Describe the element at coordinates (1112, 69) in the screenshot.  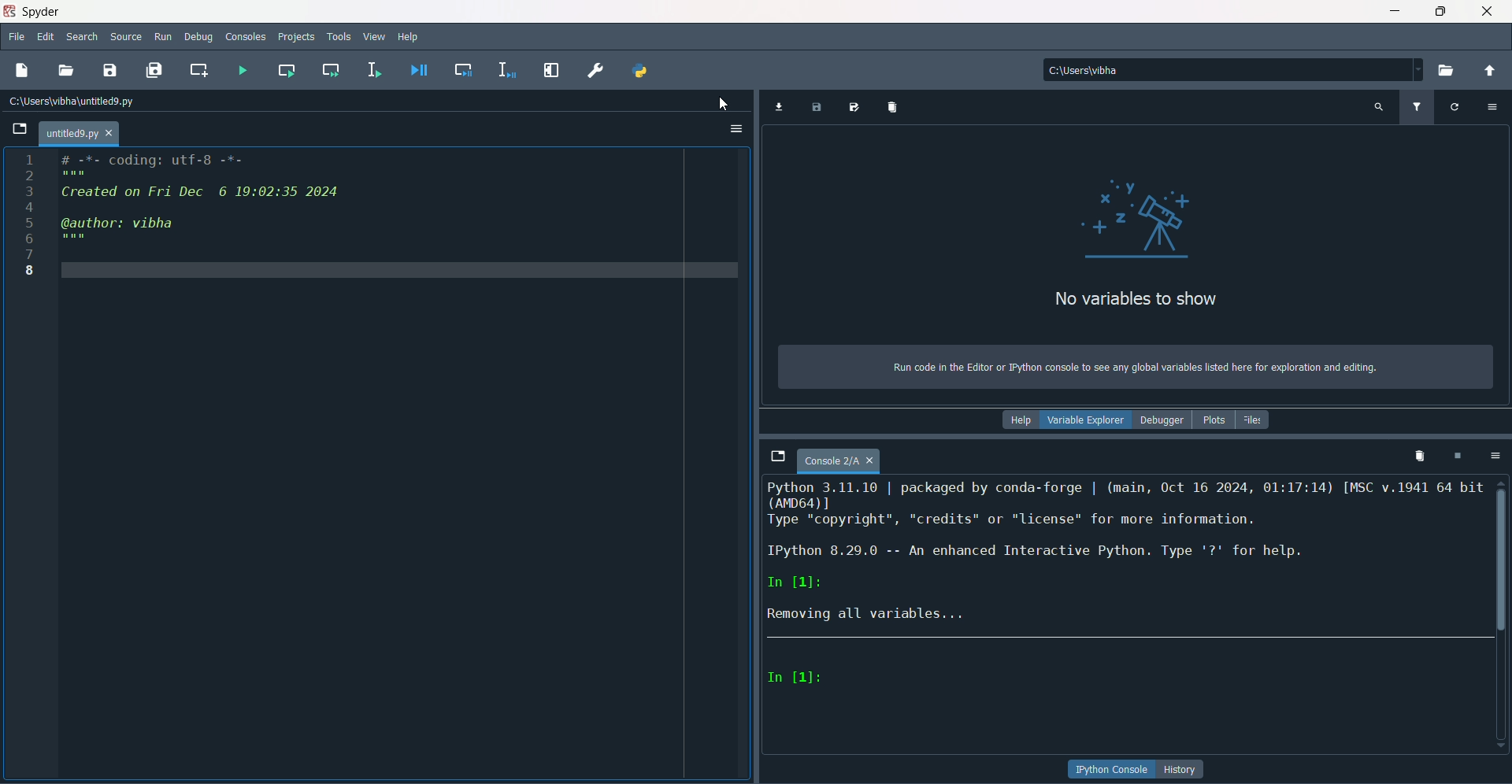
I see `file path` at that location.